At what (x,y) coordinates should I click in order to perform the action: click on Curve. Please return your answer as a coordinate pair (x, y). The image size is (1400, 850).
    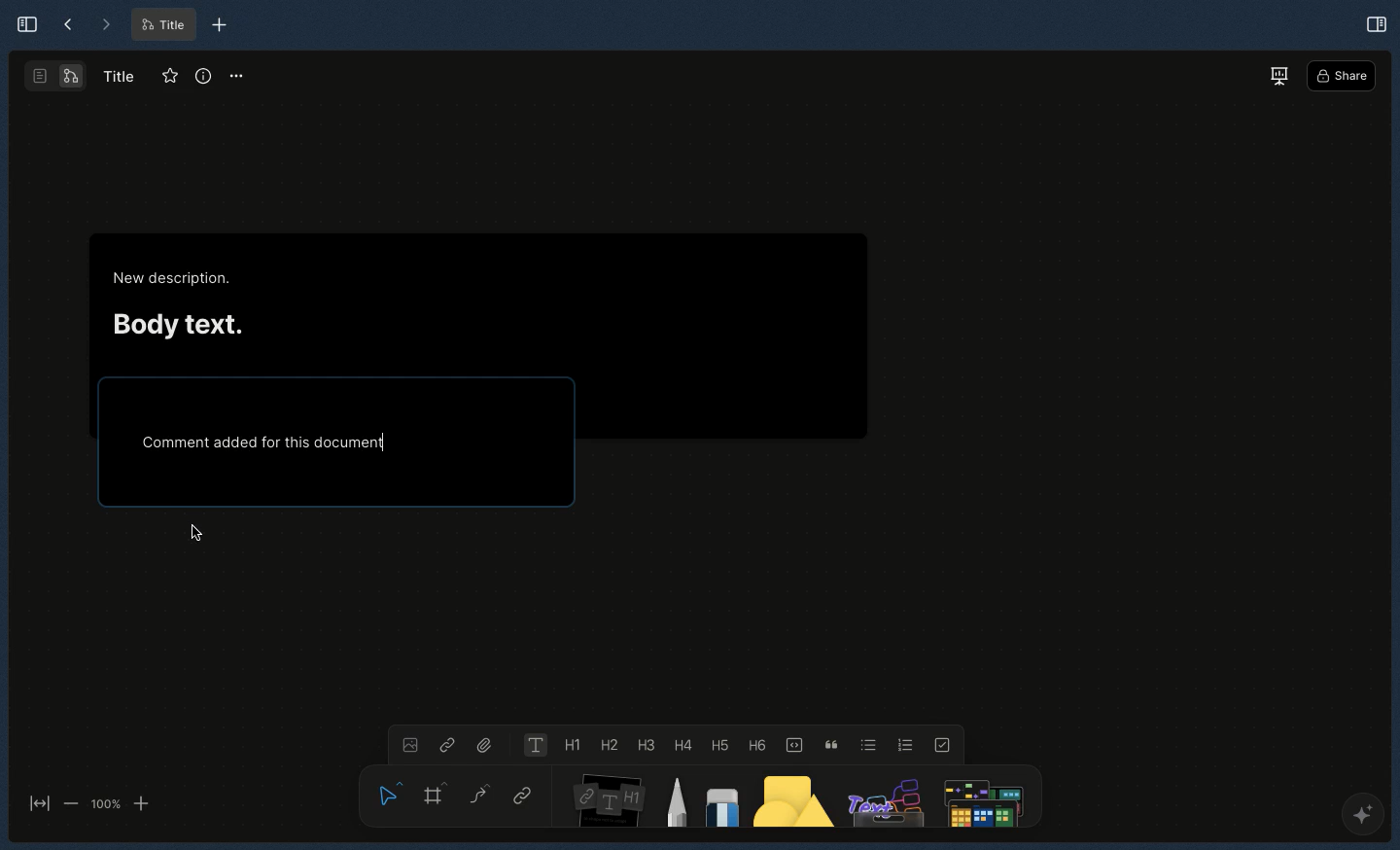
    Looking at the image, I should click on (478, 793).